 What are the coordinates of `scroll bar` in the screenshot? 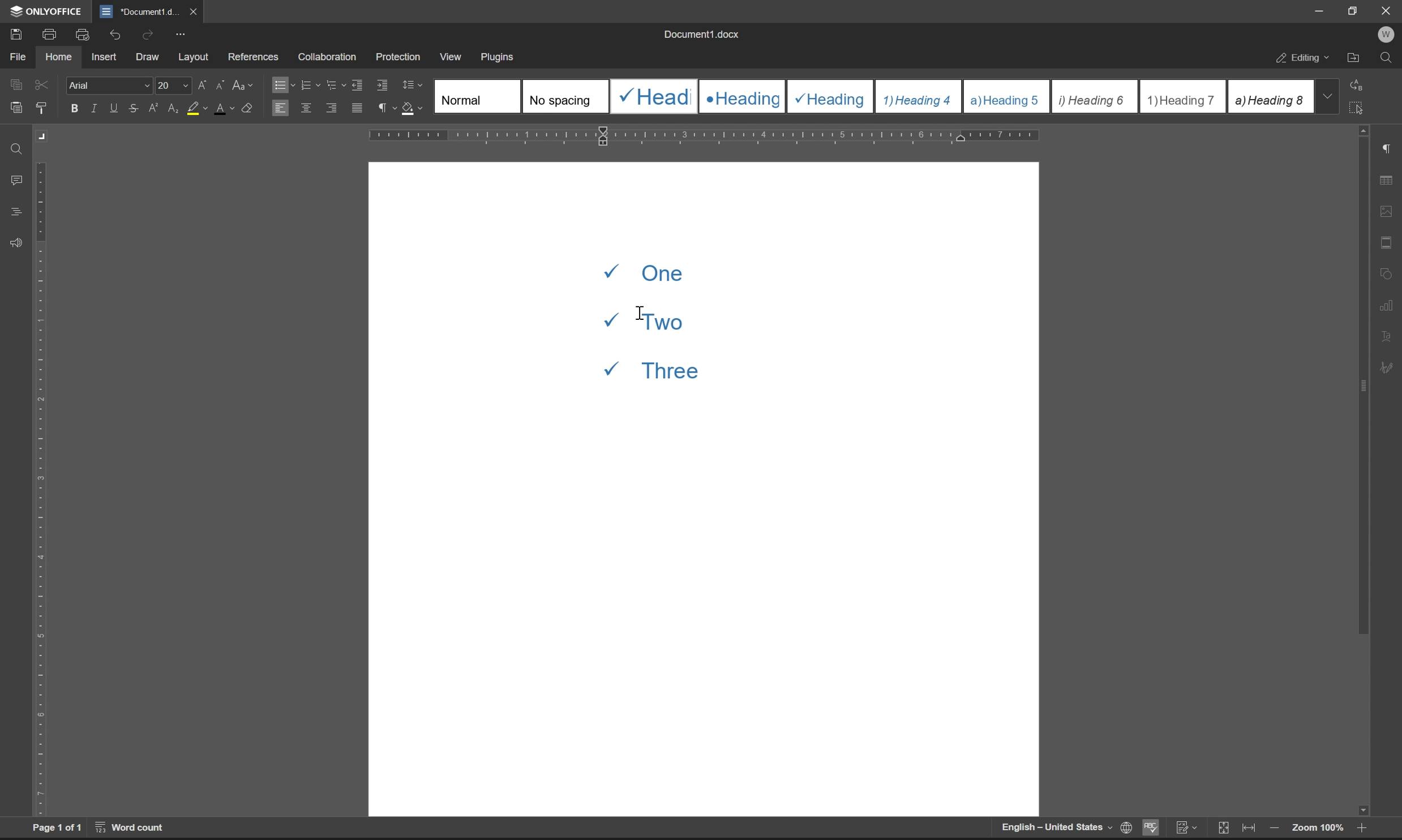 It's located at (1361, 471).